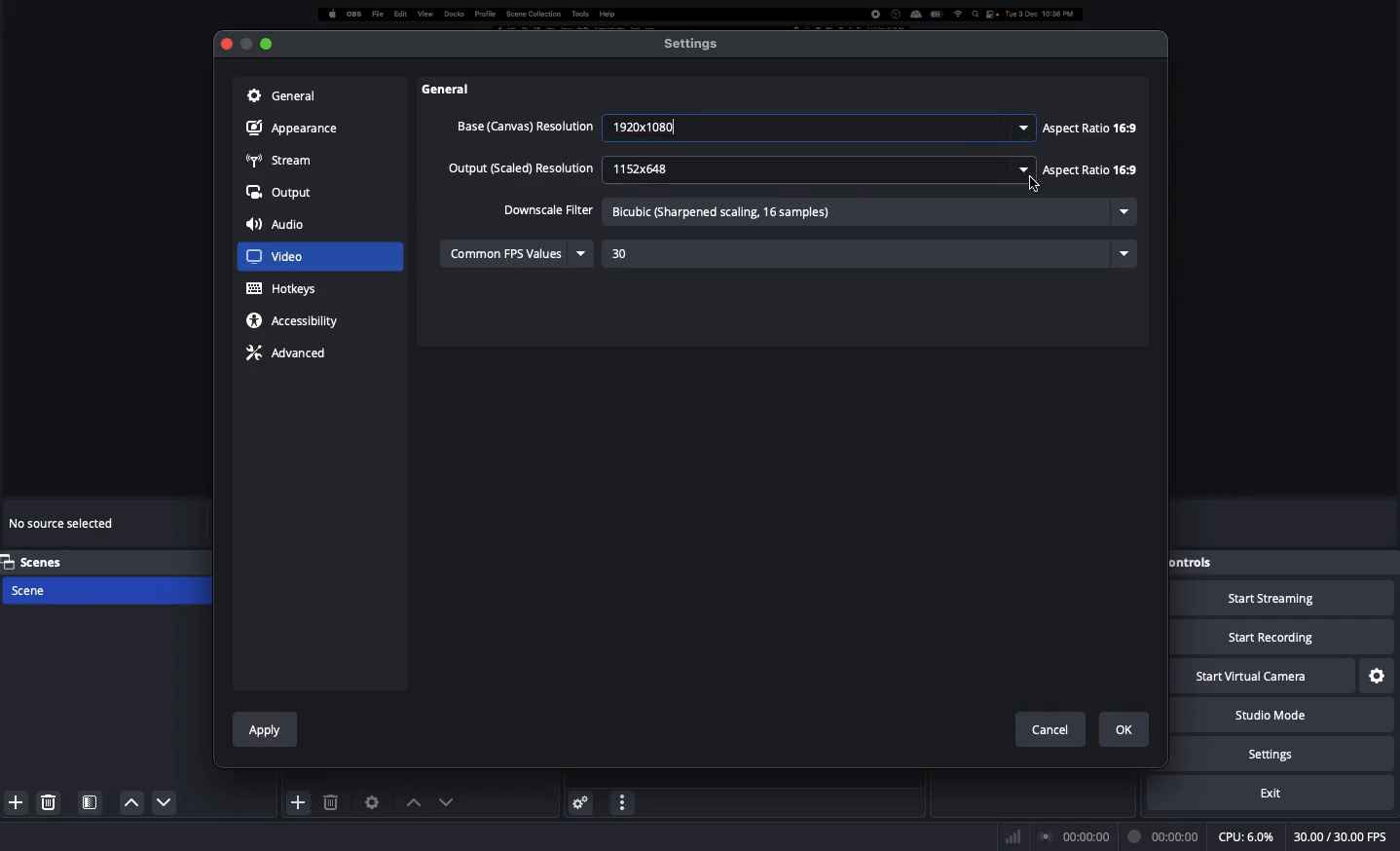 This screenshot has width=1400, height=851. Describe the element at coordinates (289, 351) in the screenshot. I see `Advance` at that location.